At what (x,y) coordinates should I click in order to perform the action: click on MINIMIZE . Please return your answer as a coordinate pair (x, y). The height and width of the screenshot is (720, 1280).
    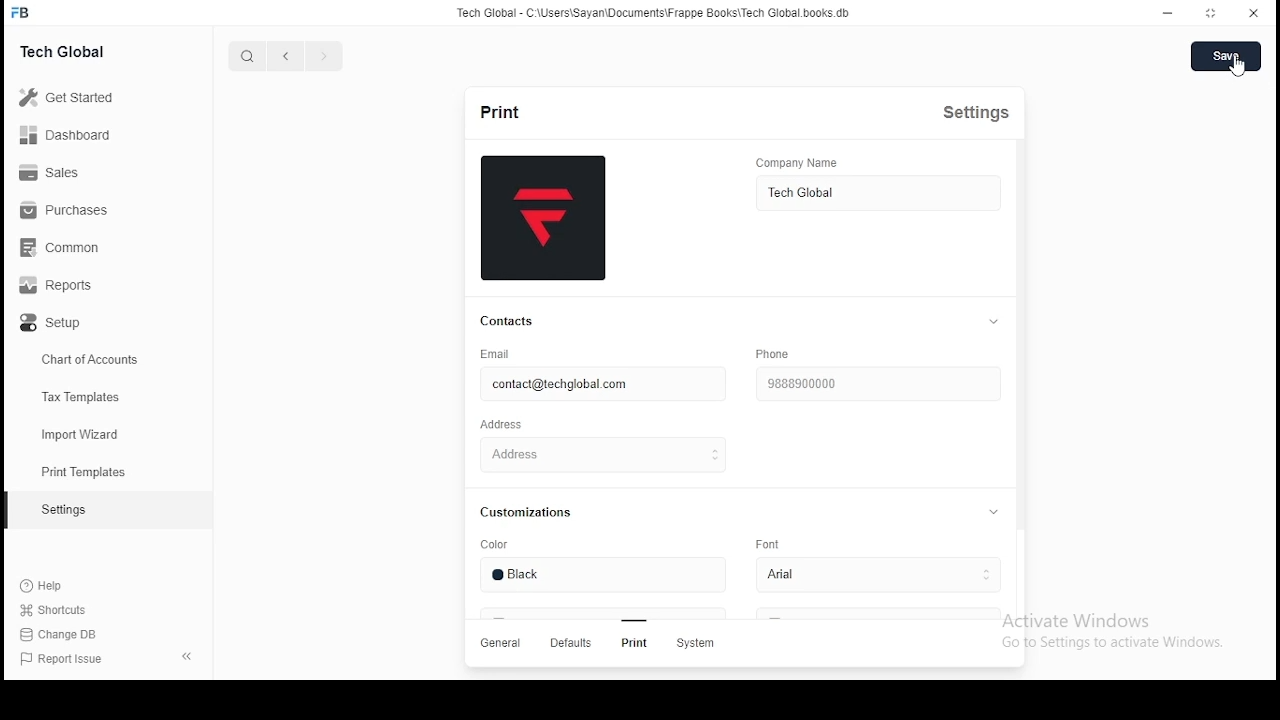
    Looking at the image, I should click on (1171, 12).